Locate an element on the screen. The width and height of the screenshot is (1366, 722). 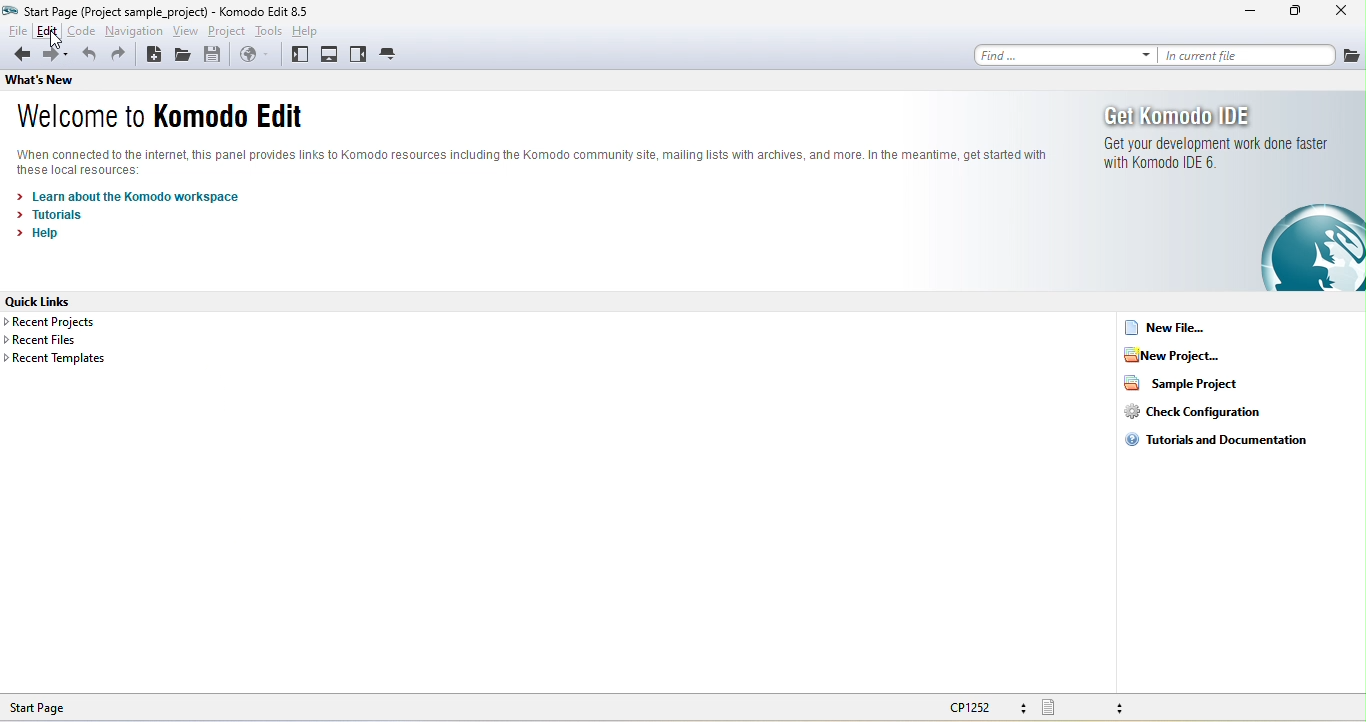
in current file is located at coordinates (1248, 53).